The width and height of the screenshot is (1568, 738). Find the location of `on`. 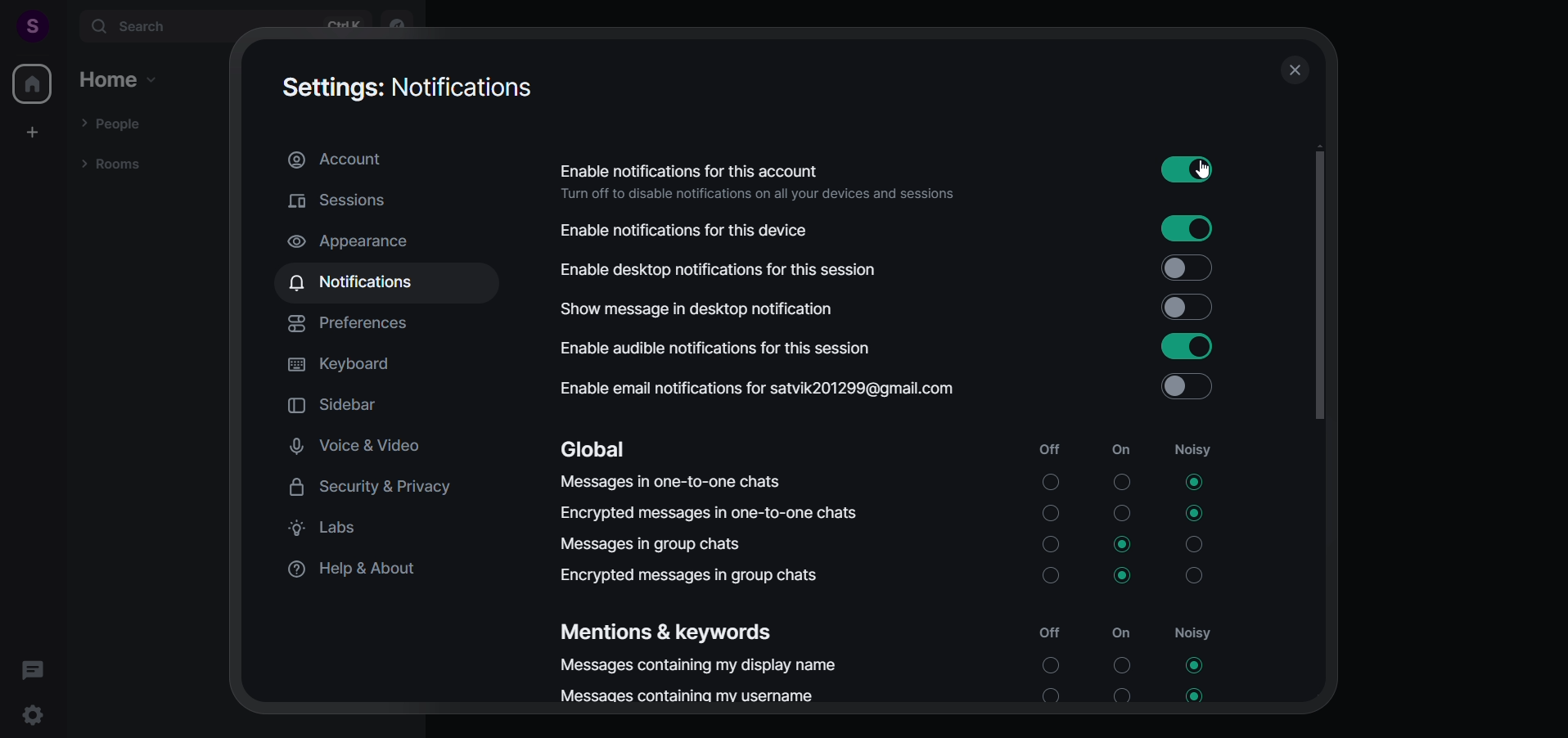

on is located at coordinates (1127, 633).